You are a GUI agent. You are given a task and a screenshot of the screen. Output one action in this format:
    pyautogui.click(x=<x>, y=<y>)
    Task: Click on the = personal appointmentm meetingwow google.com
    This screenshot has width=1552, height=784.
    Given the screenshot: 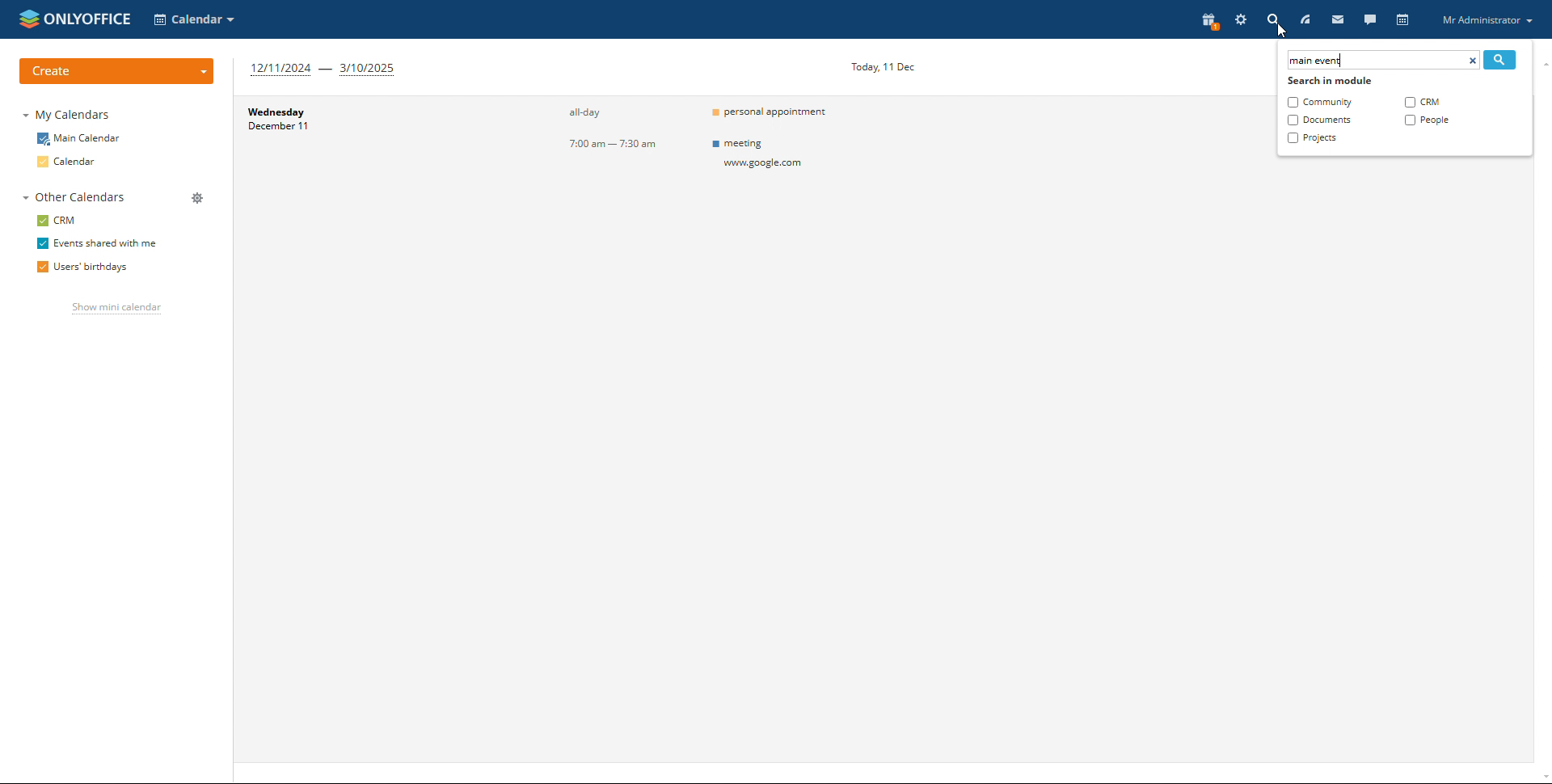 What is the action you would take?
    pyautogui.click(x=778, y=157)
    